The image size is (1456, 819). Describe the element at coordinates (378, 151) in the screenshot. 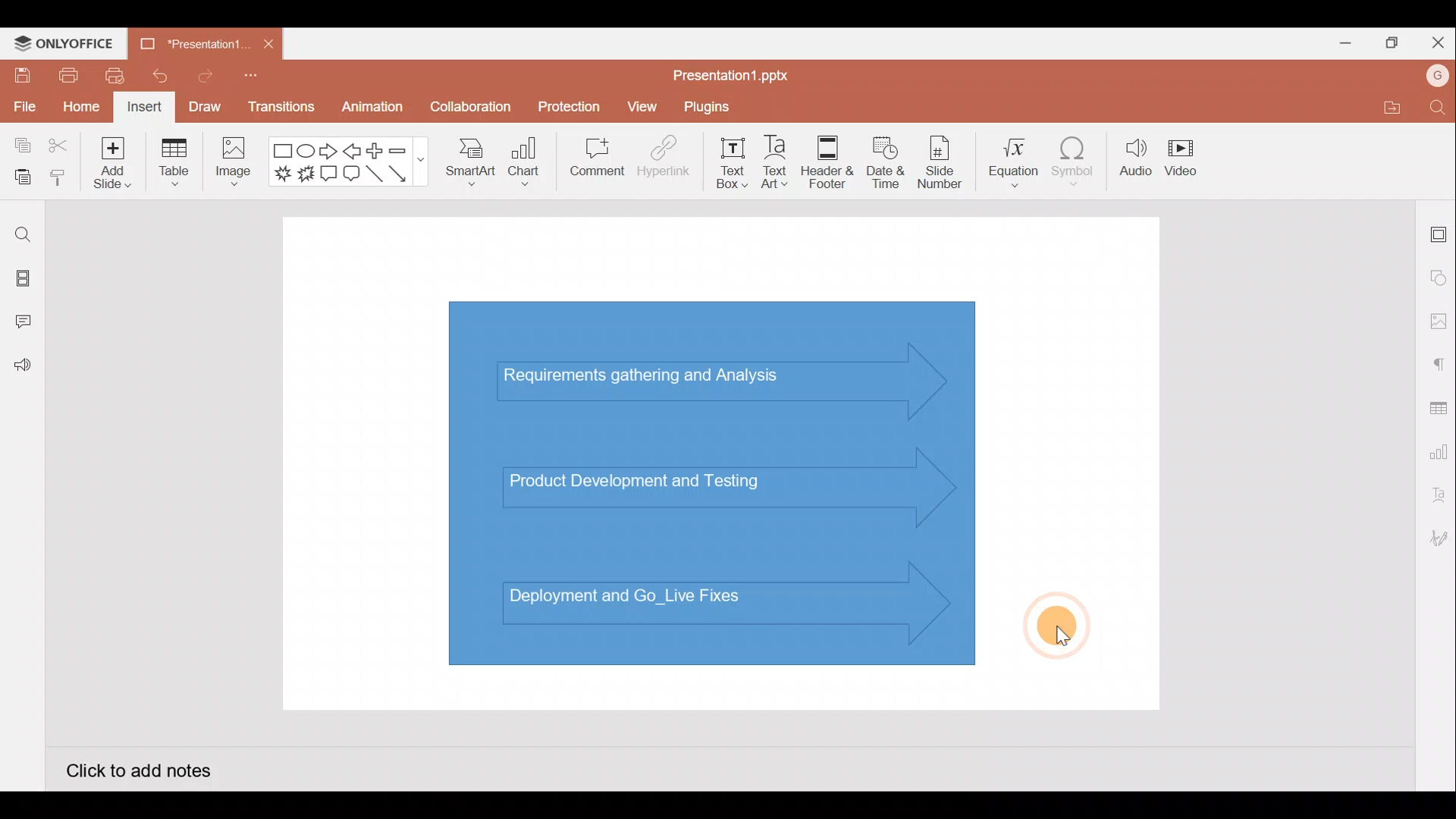

I see `Plus` at that location.